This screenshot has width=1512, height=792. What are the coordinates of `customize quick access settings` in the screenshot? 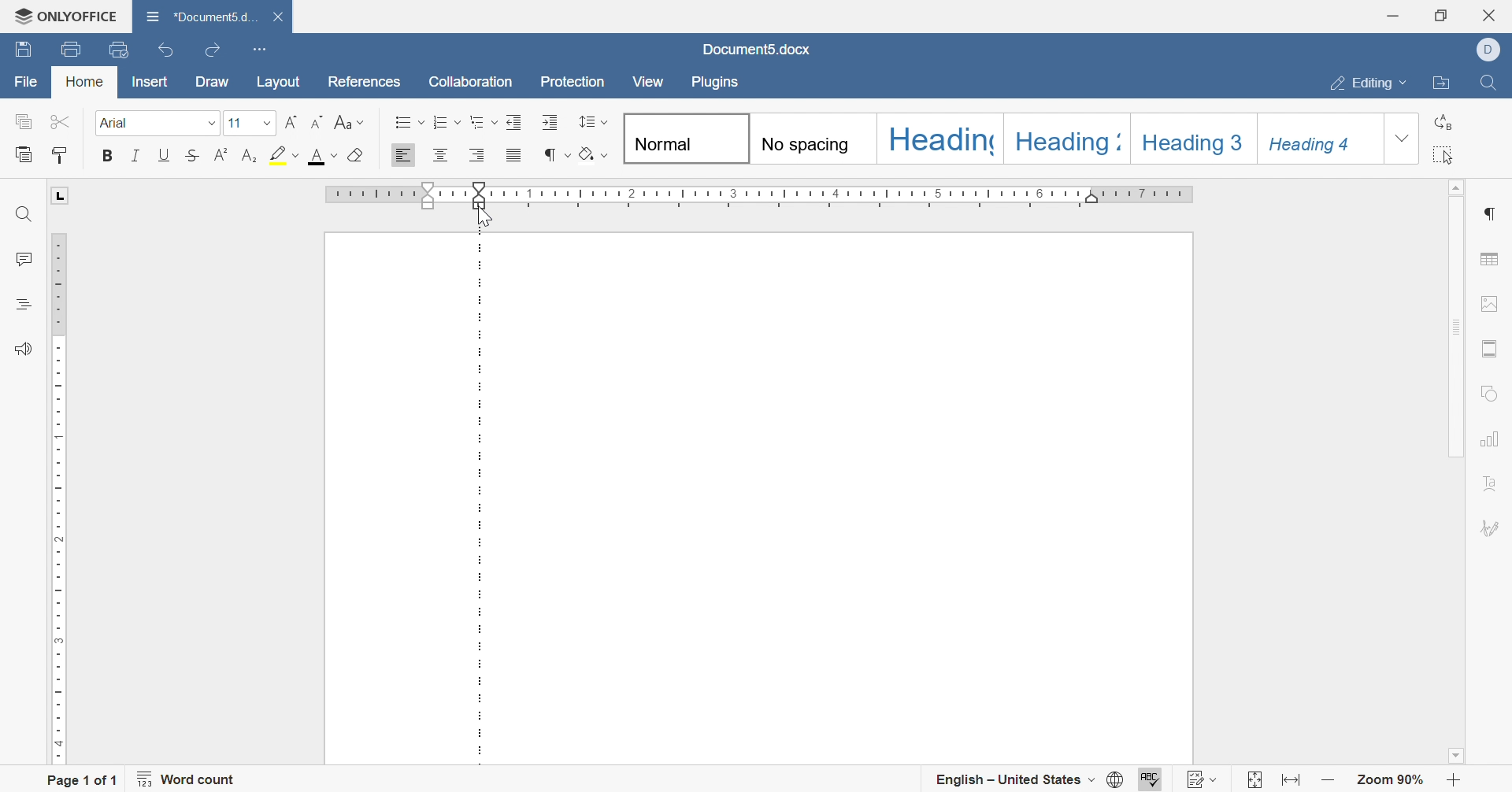 It's located at (261, 47).